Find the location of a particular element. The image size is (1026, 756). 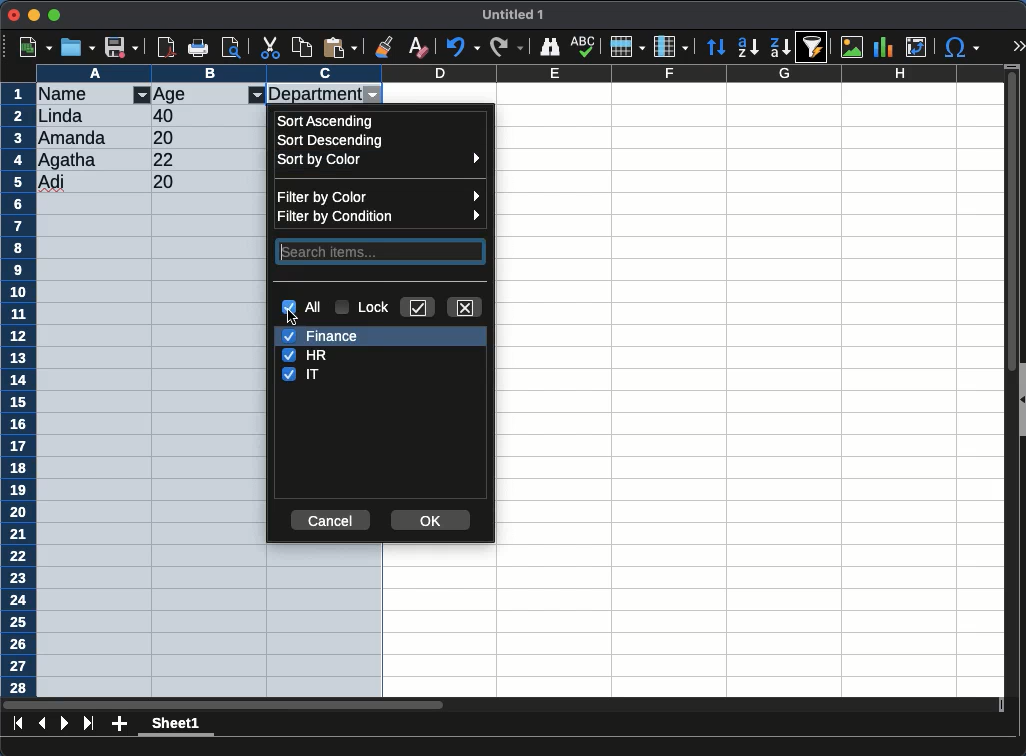

22 is located at coordinates (168, 159).